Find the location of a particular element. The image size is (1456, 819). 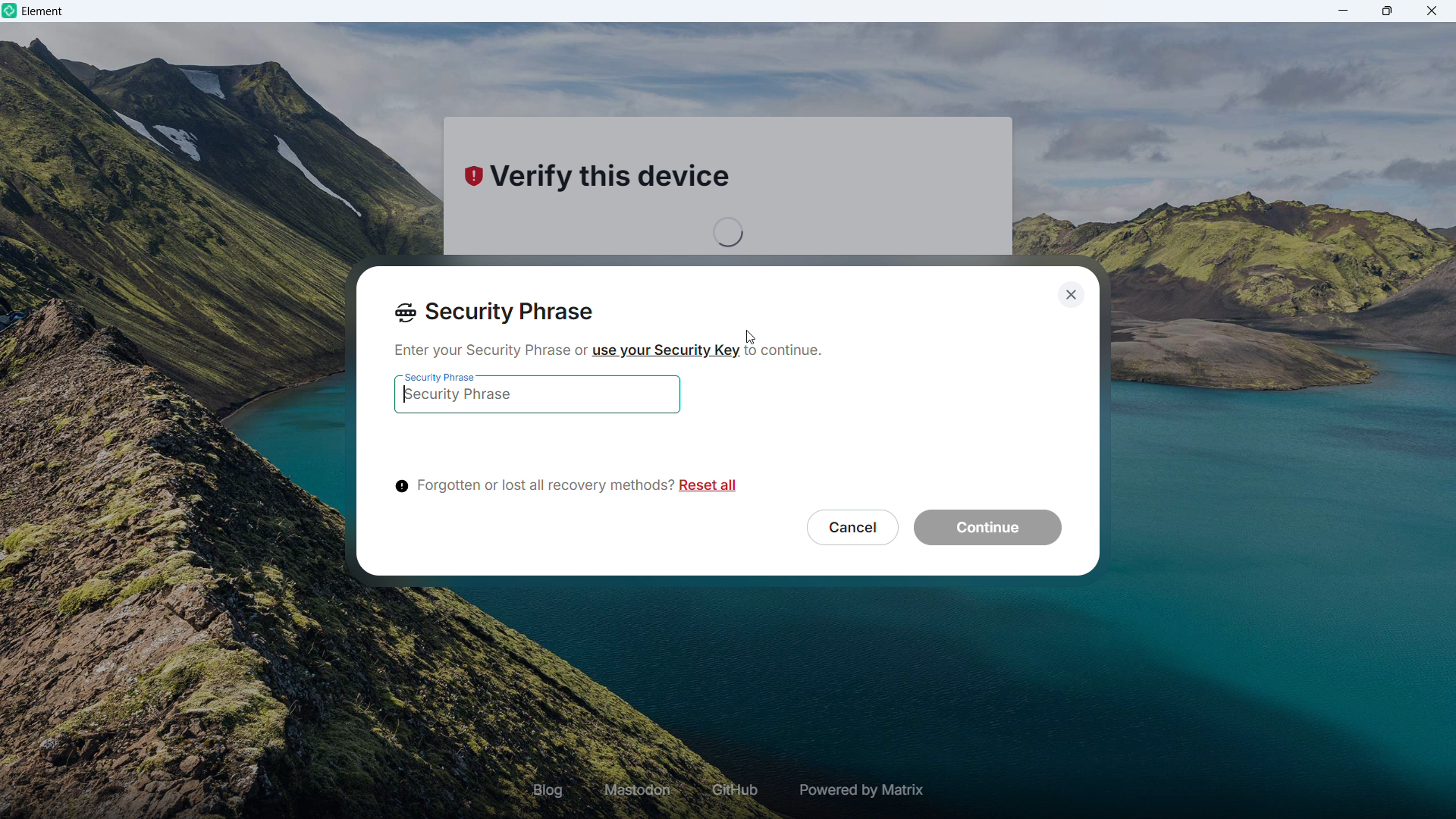

minimize is located at coordinates (1344, 11).